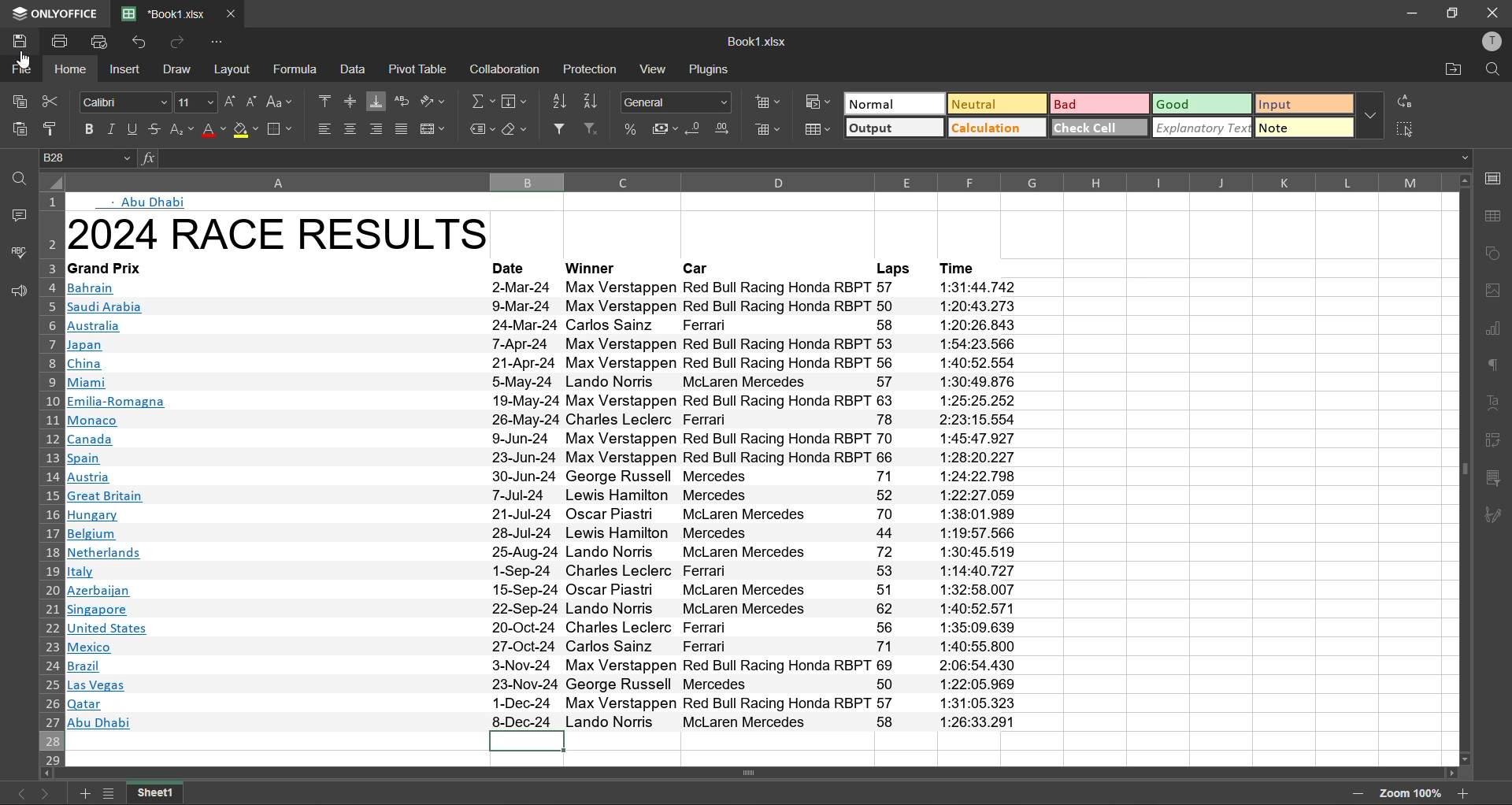  Describe the element at coordinates (1494, 69) in the screenshot. I see `find` at that location.